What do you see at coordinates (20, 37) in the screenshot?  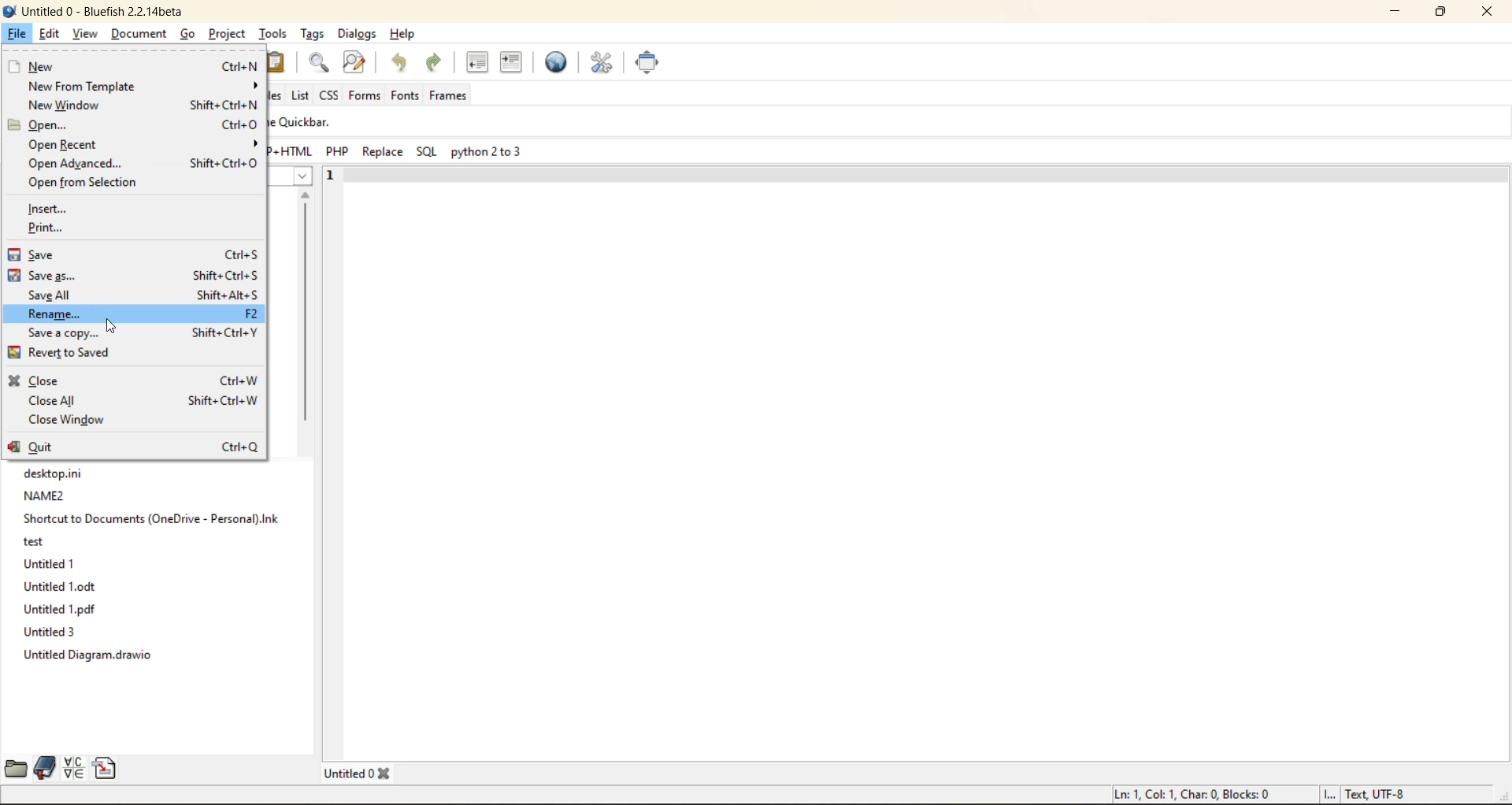 I see `file` at bounding box center [20, 37].